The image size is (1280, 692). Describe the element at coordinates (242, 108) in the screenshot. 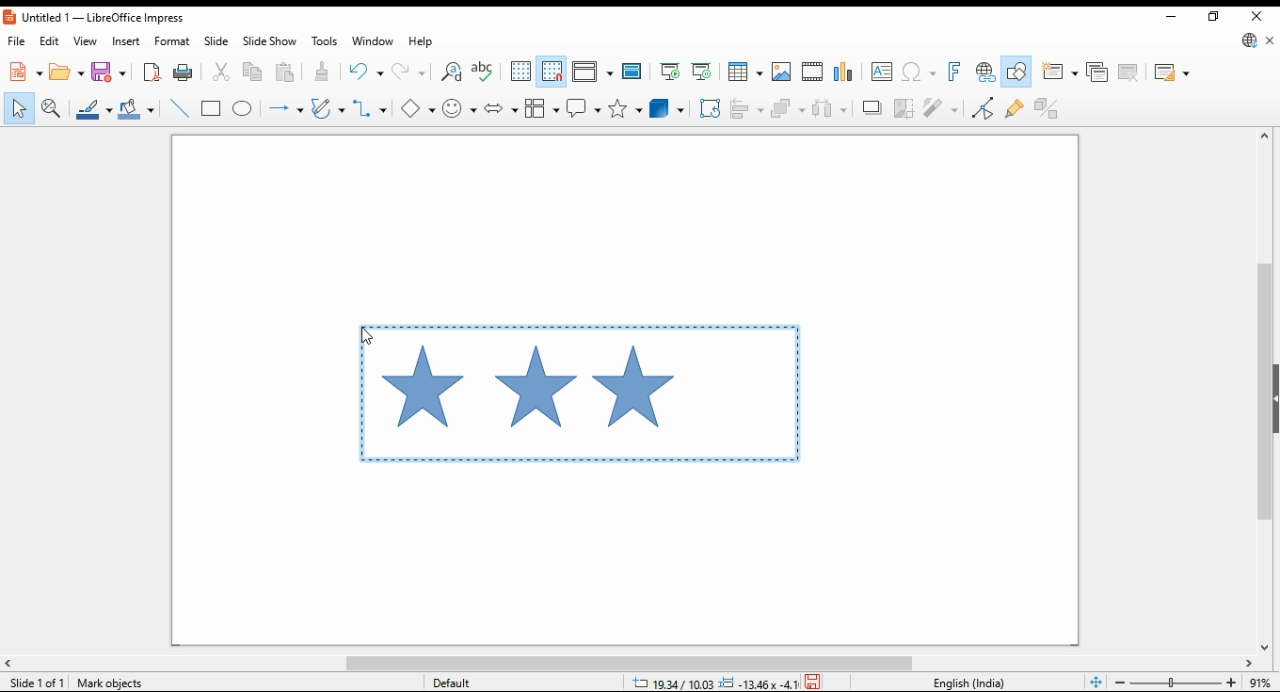

I see `ellipse` at that location.